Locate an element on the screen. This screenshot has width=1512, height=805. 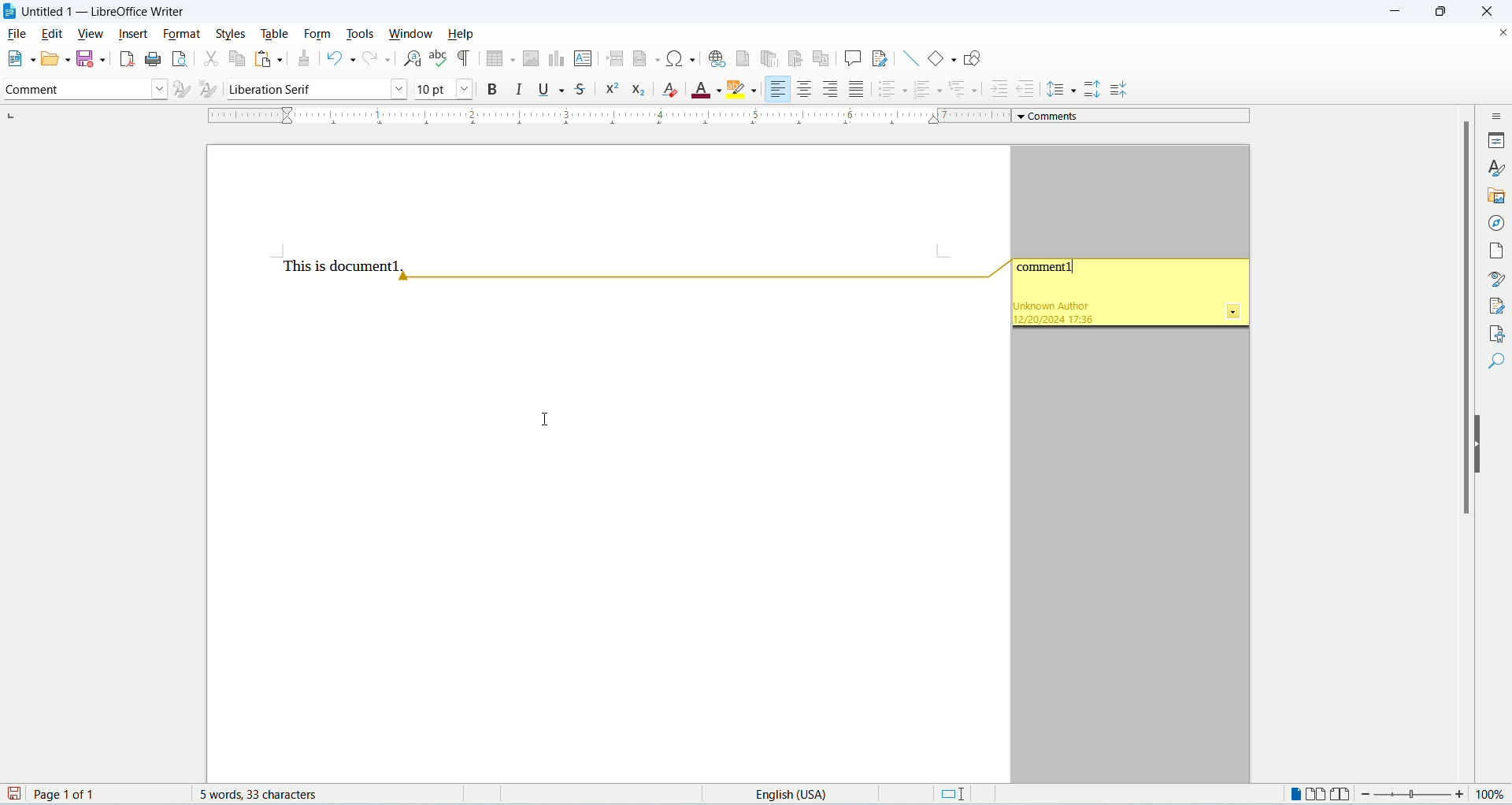
clear formatting is located at coordinates (672, 91).